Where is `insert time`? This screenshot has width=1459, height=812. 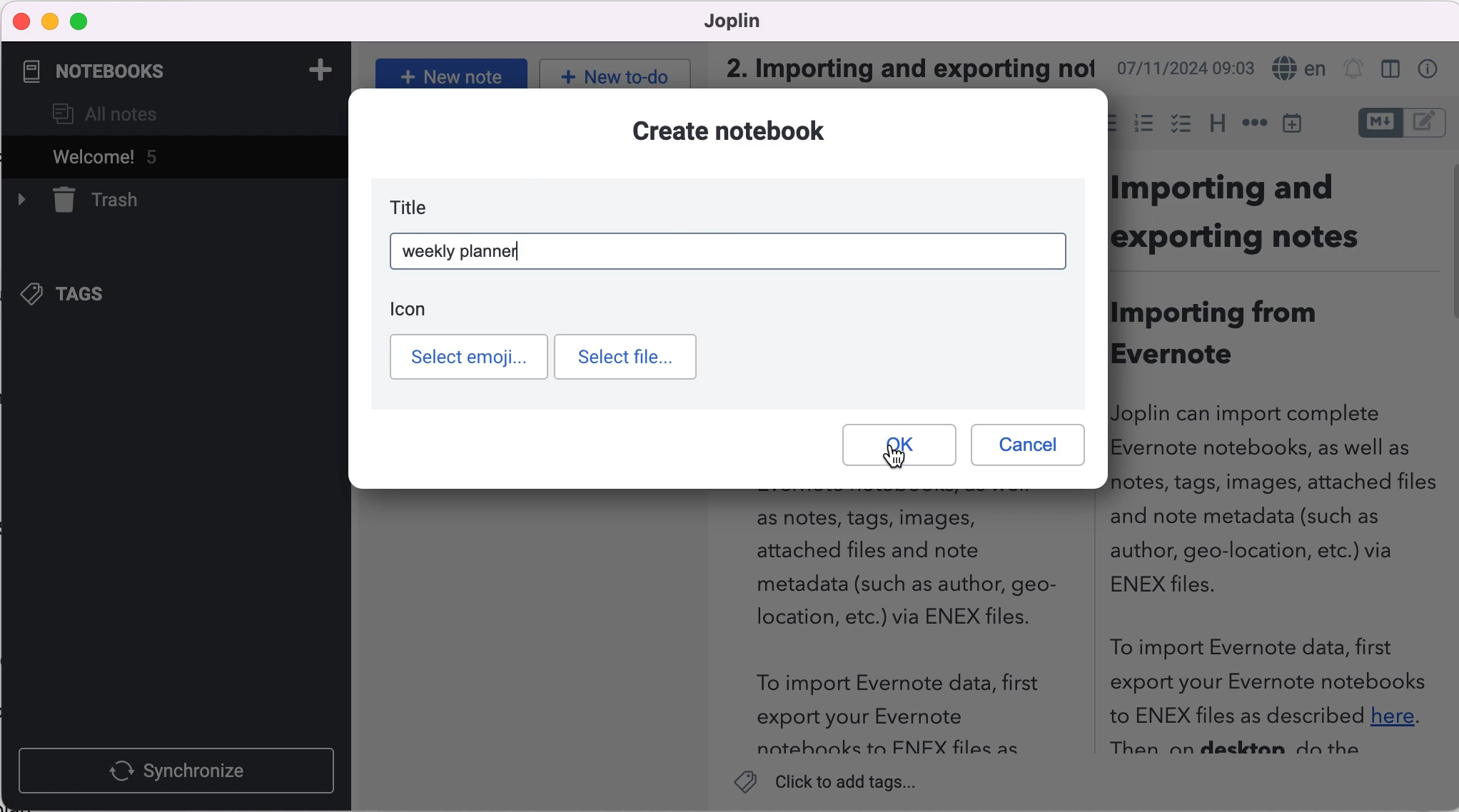
insert time is located at coordinates (1295, 123).